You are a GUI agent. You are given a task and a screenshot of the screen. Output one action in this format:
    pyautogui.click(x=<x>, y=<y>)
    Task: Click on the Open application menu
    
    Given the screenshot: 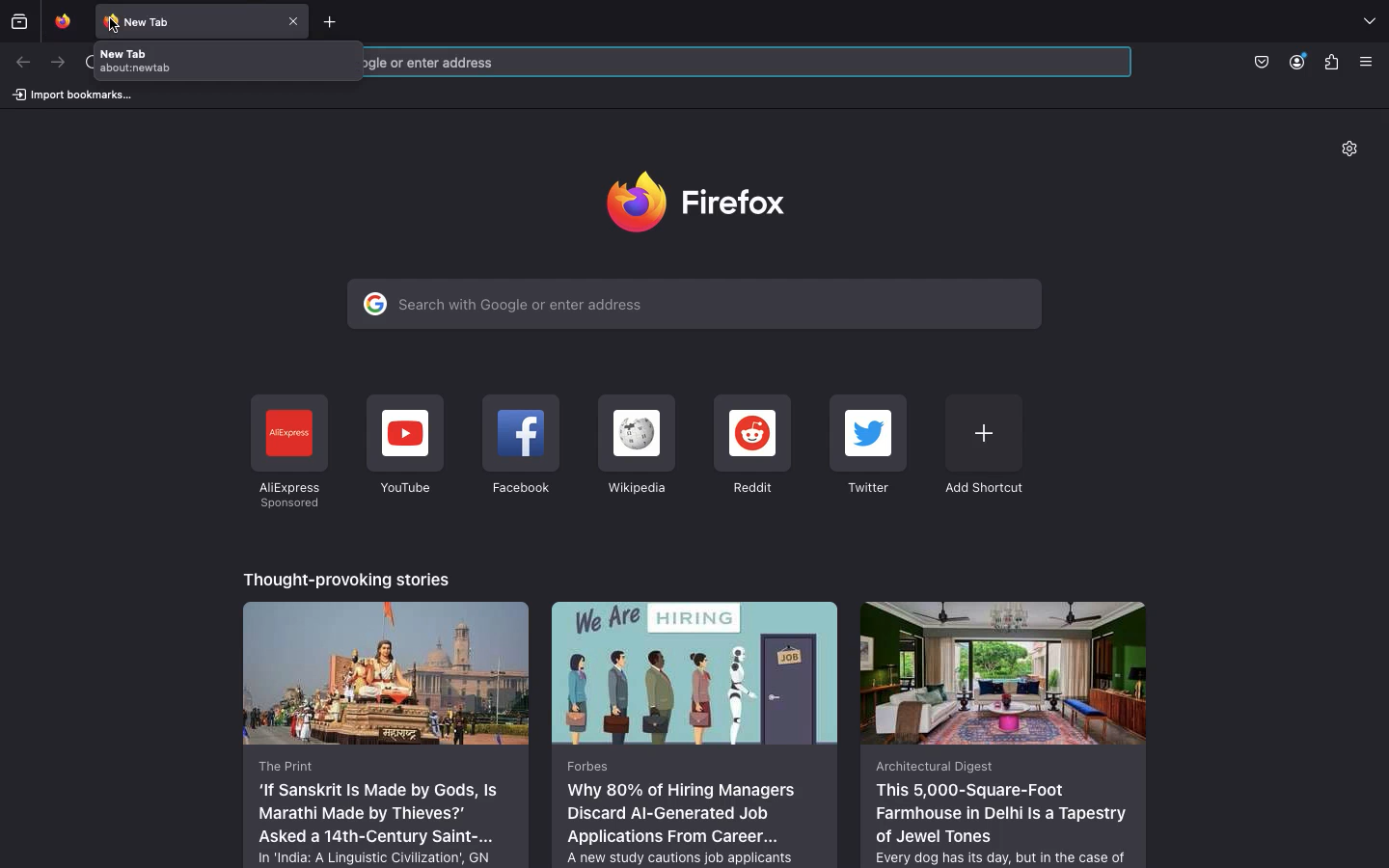 What is the action you would take?
    pyautogui.click(x=1372, y=62)
    